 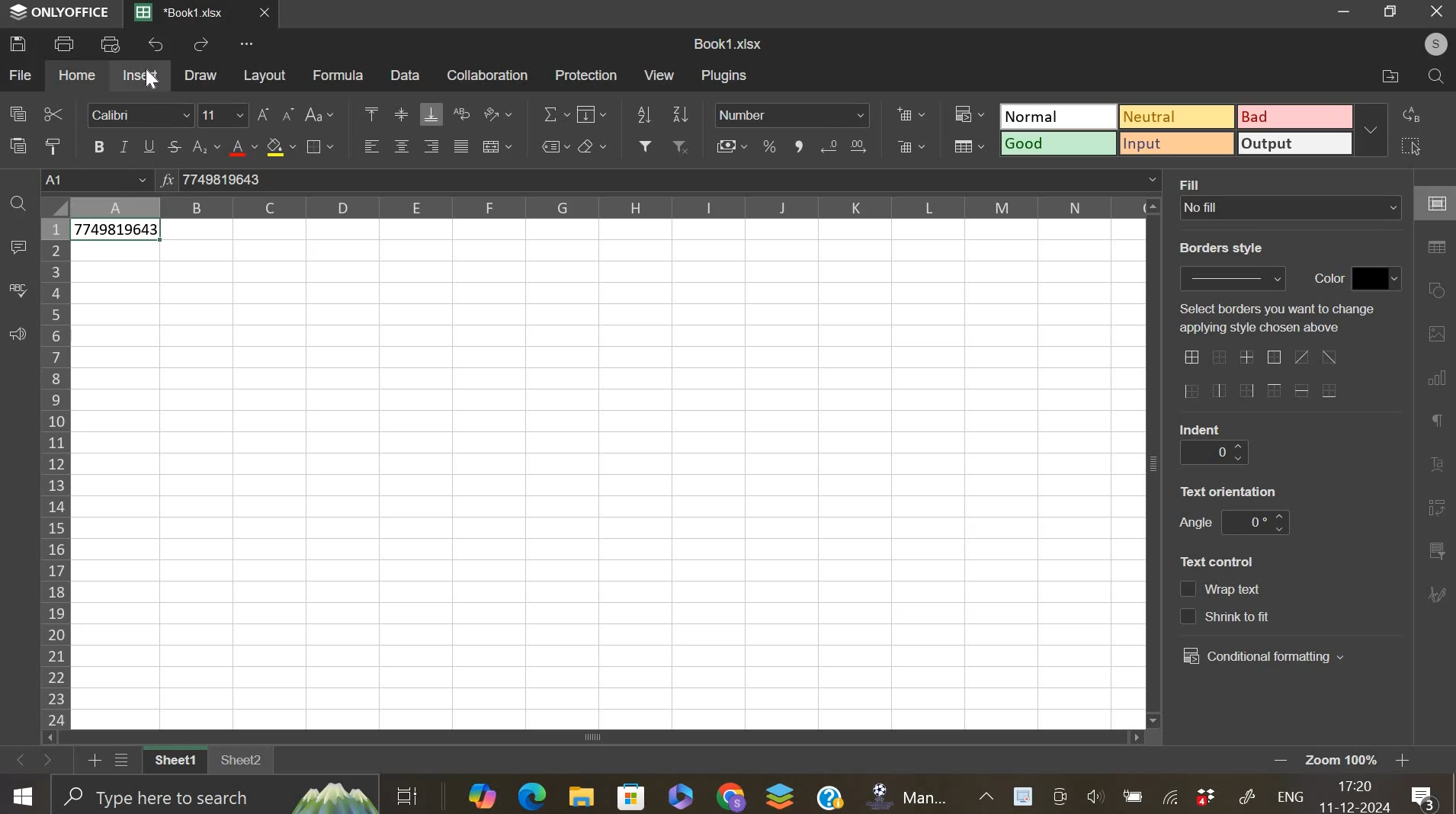 I want to click on formula, so click(x=339, y=75).